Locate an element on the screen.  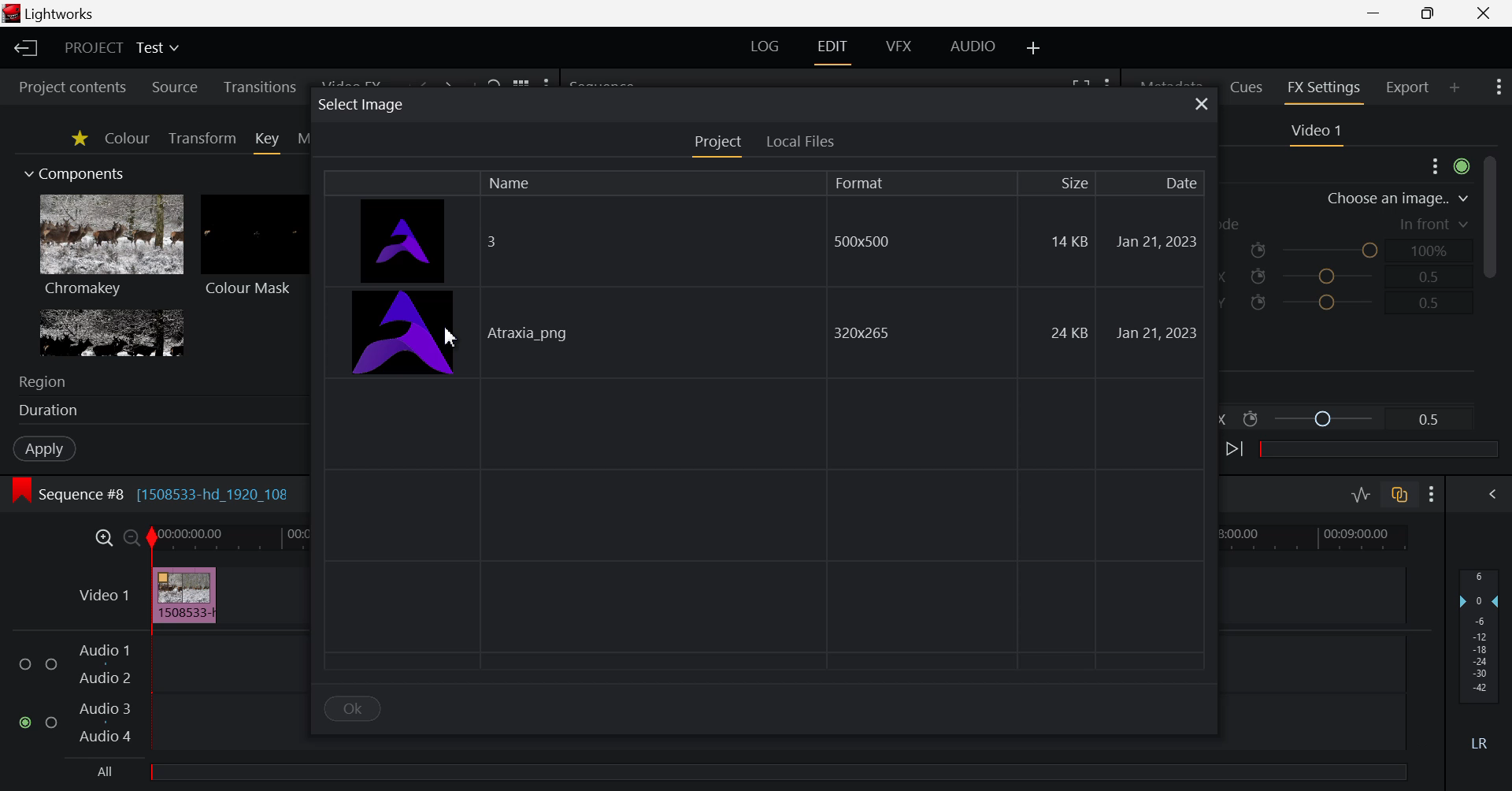
Transform is located at coordinates (200, 139).